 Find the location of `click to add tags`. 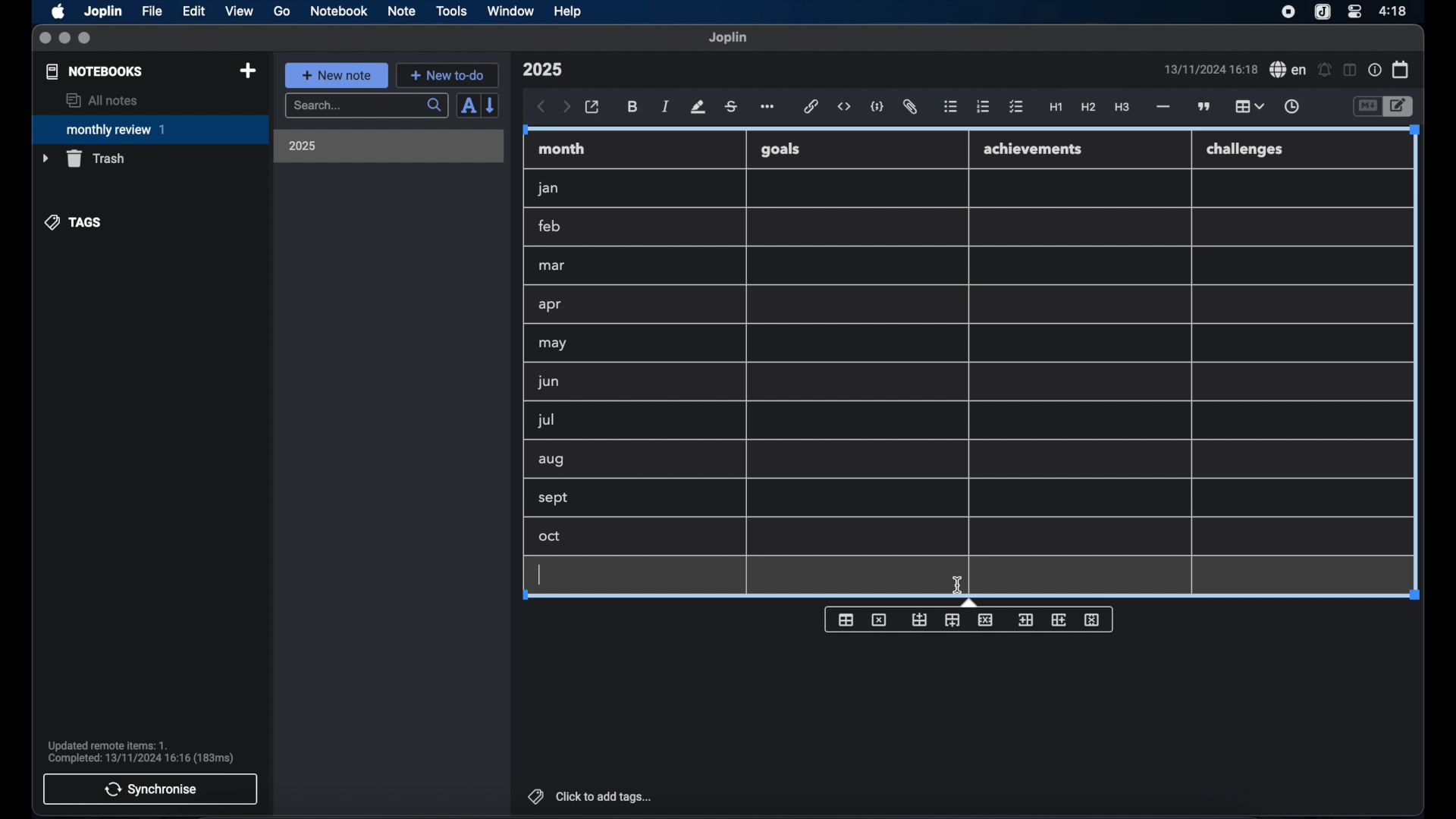

click to add tags is located at coordinates (591, 796).